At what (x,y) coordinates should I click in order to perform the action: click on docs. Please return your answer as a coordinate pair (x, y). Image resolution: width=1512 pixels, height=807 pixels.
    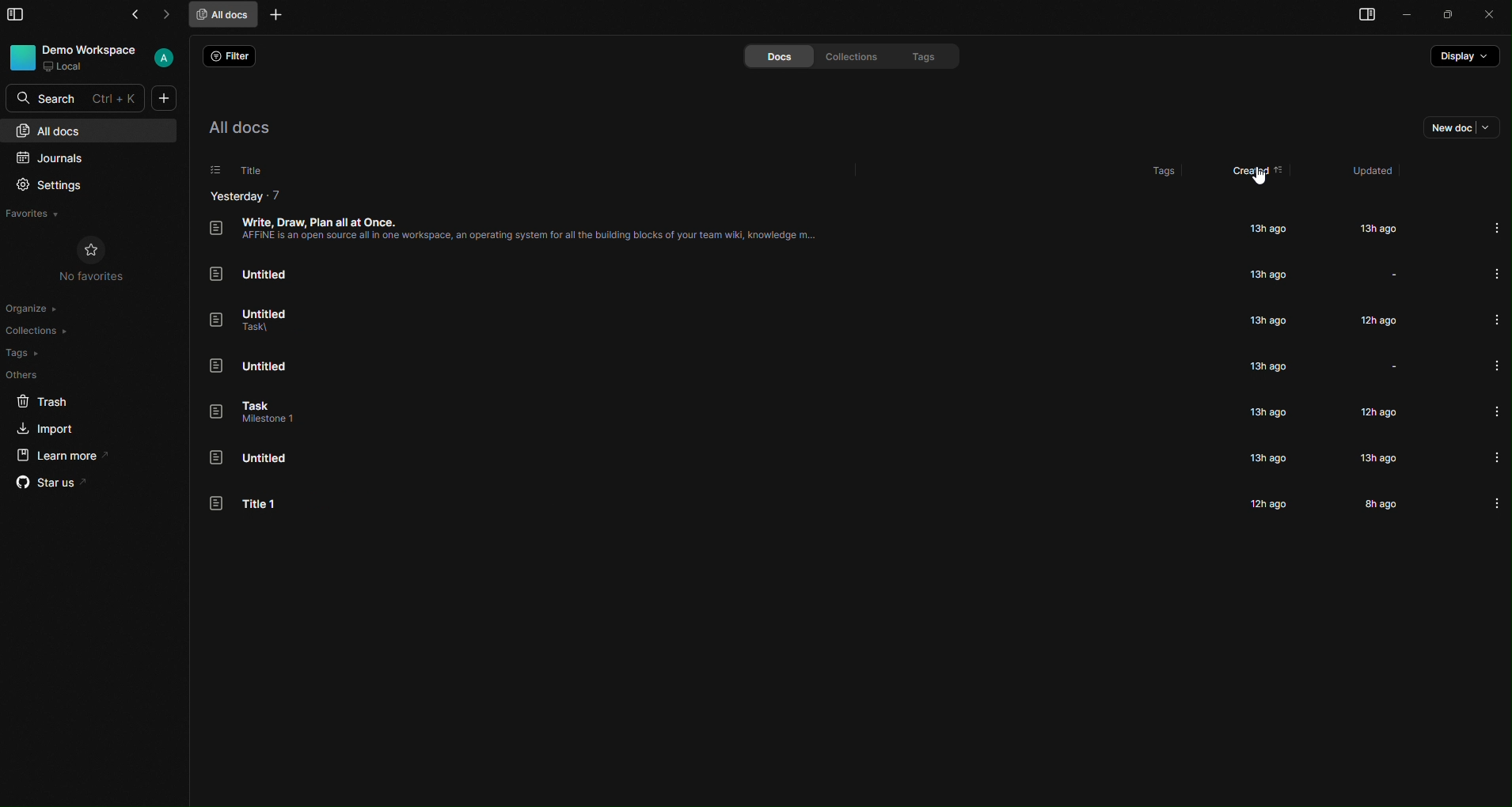
    Looking at the image, I should click on (779, 55).